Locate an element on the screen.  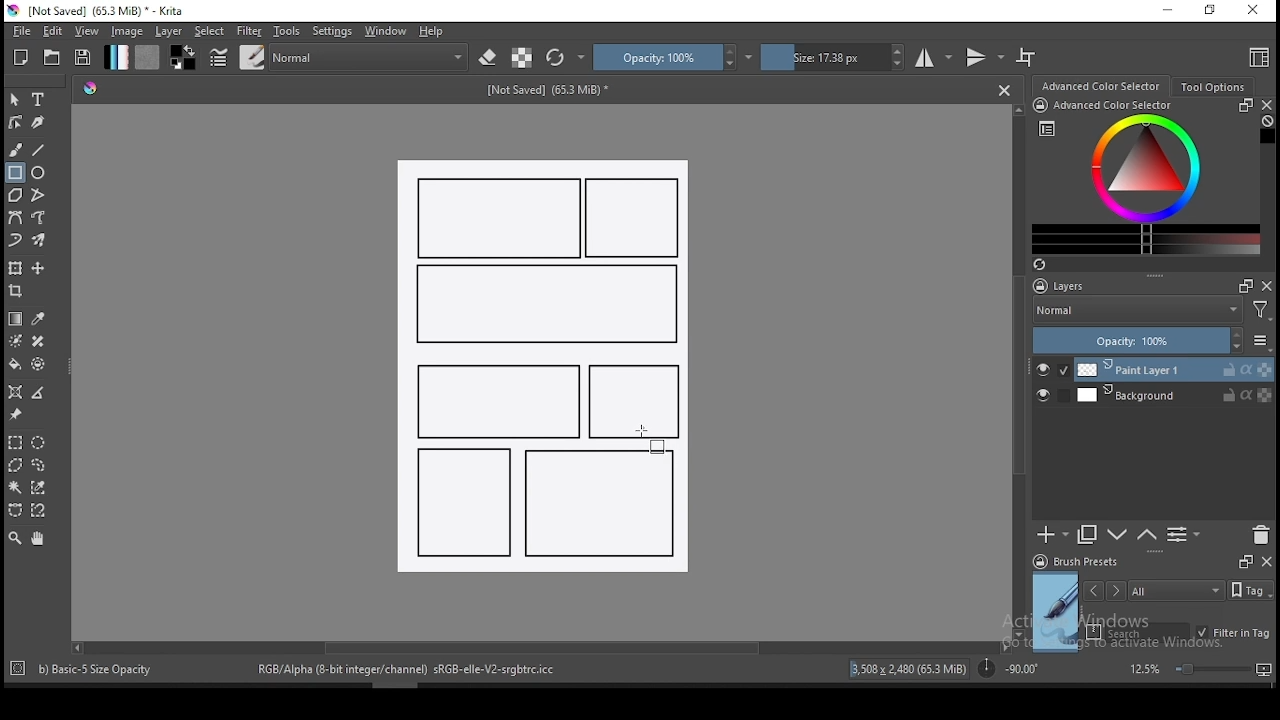
brush settings is located at coordinates (217, 57).